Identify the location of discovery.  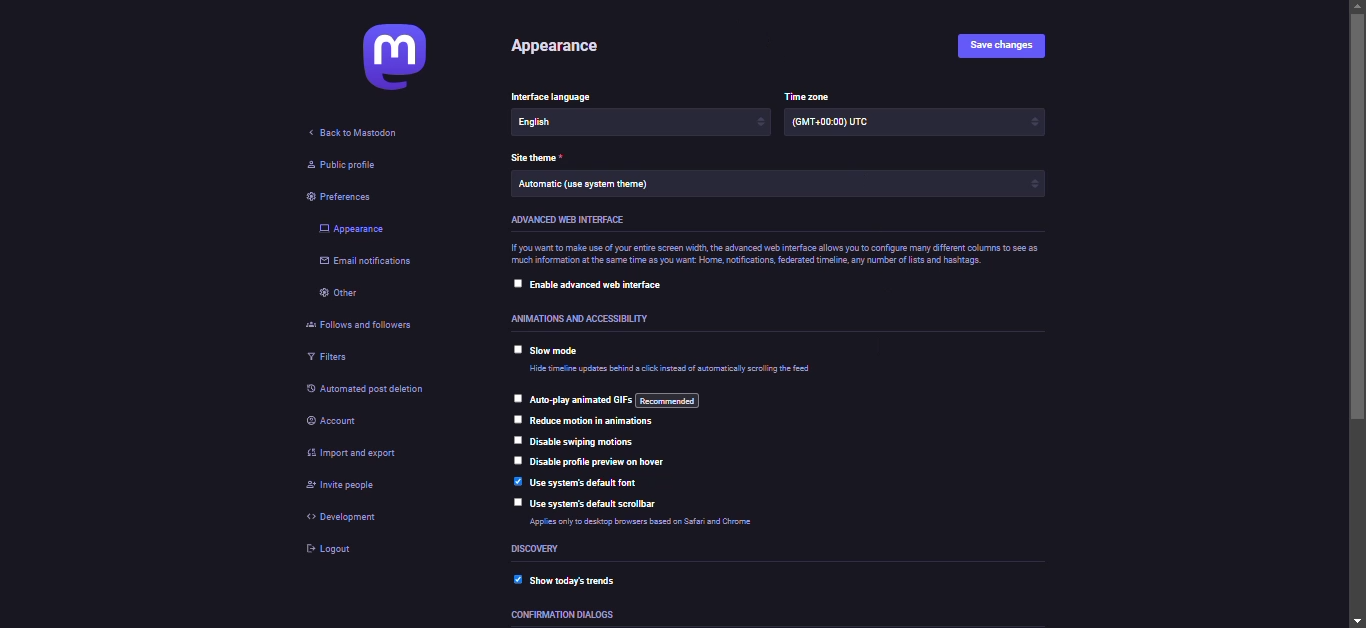
(541, 548).